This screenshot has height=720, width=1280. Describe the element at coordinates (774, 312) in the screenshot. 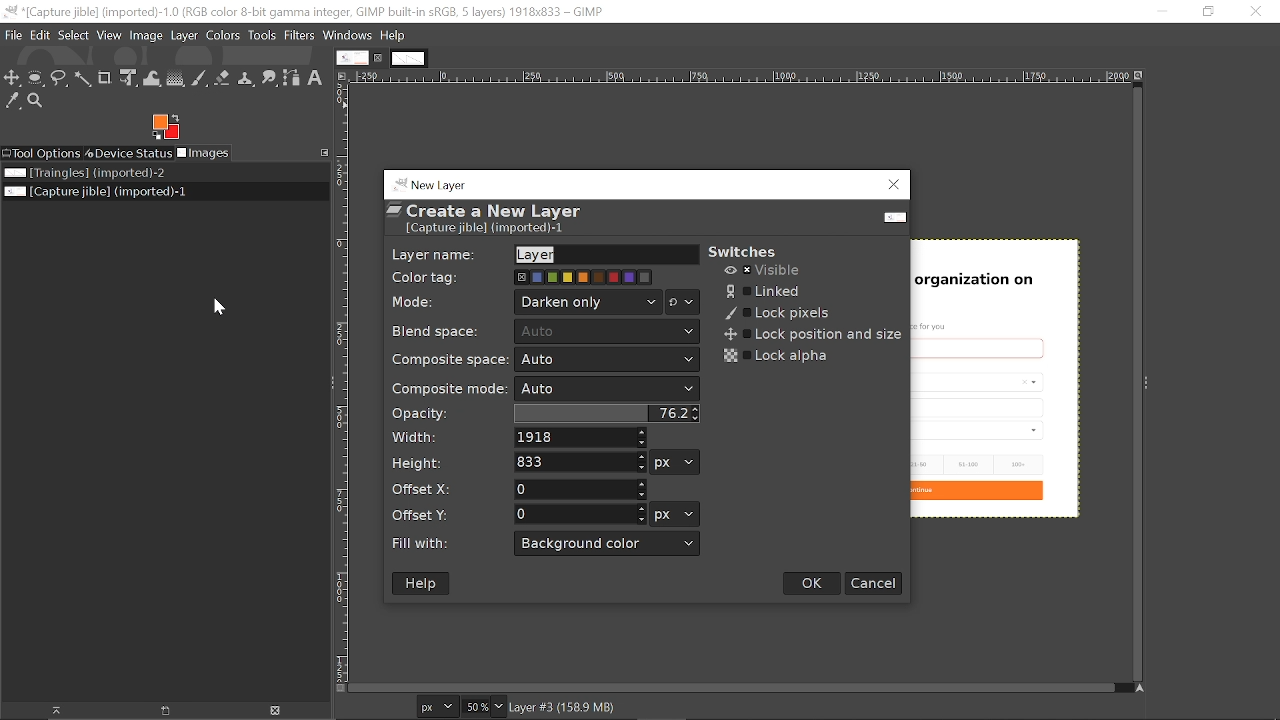

I see `Lock pixels` at that location.